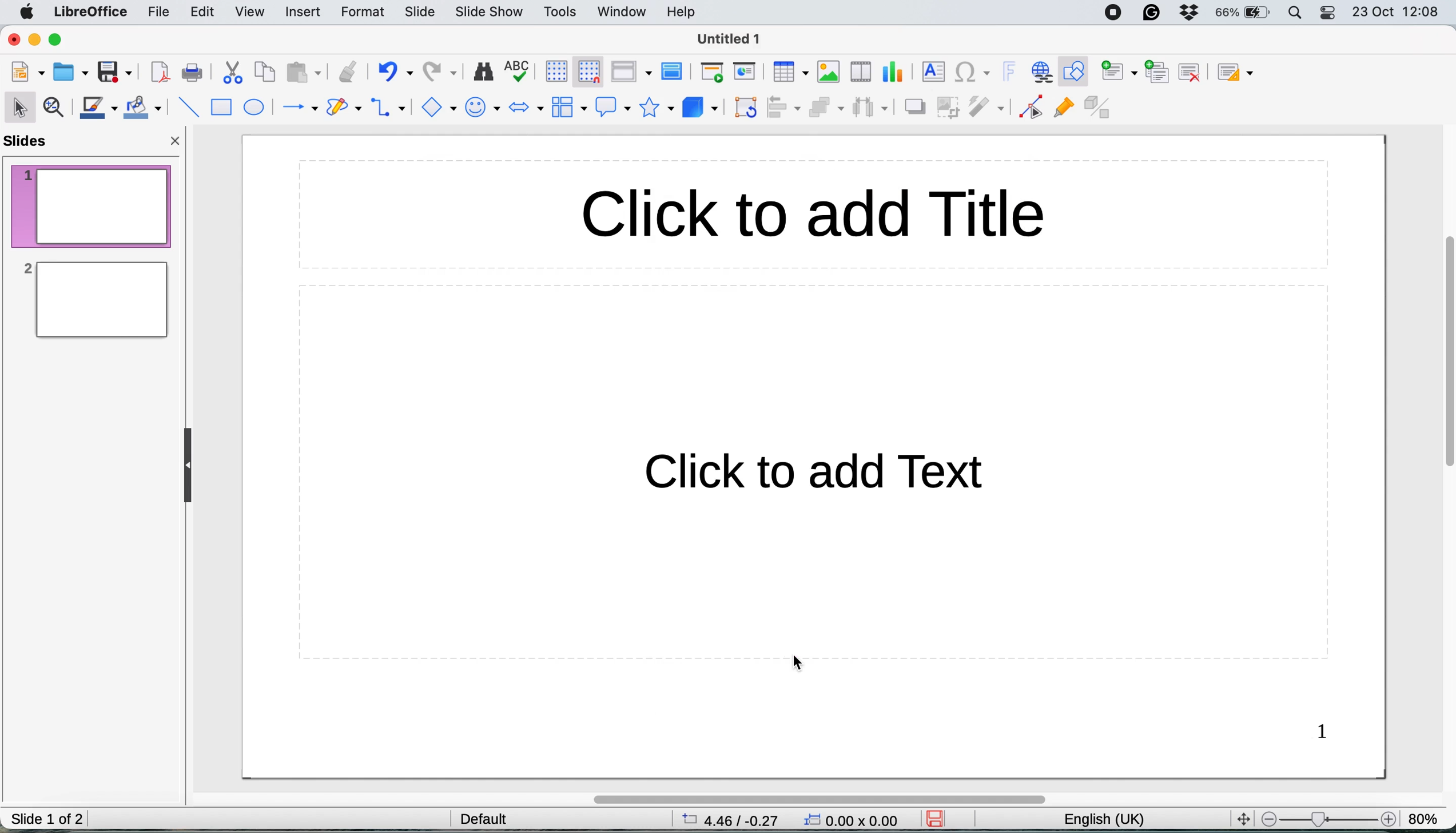 Image resolution: width=1456 pixels, height=833 pixels. I want to click on print, so click(192, 73).